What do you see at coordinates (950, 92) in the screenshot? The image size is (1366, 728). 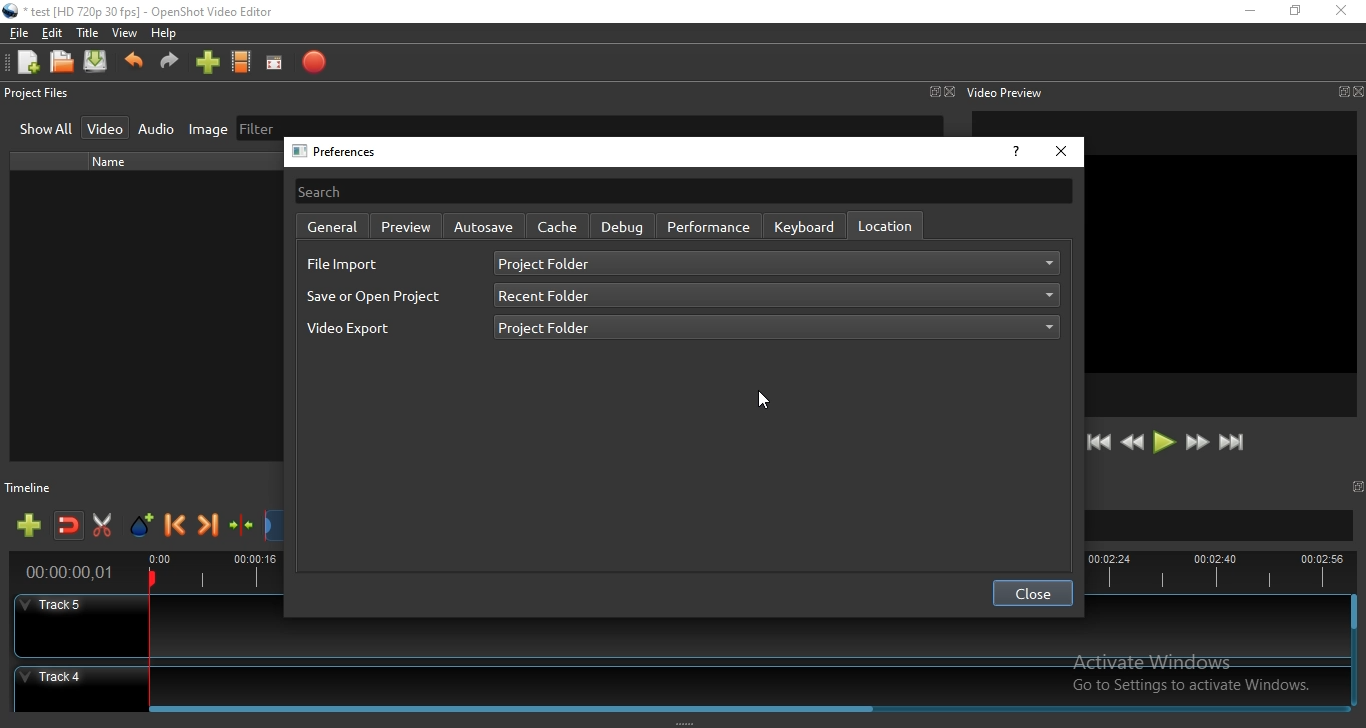 I see `Close` at bounding box center [950, 92].